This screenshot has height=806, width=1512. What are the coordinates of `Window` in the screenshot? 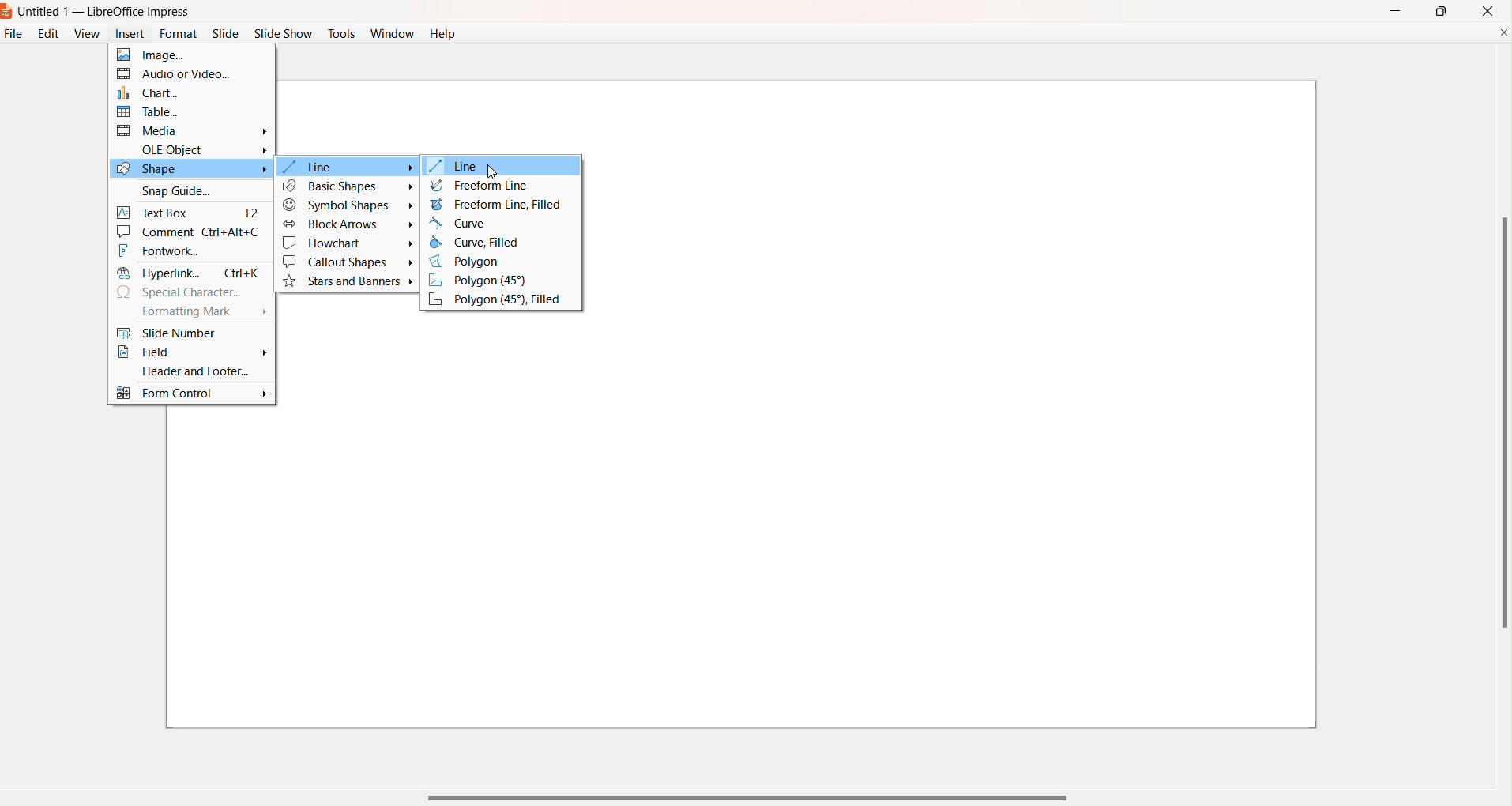 It's located at (392, 36).